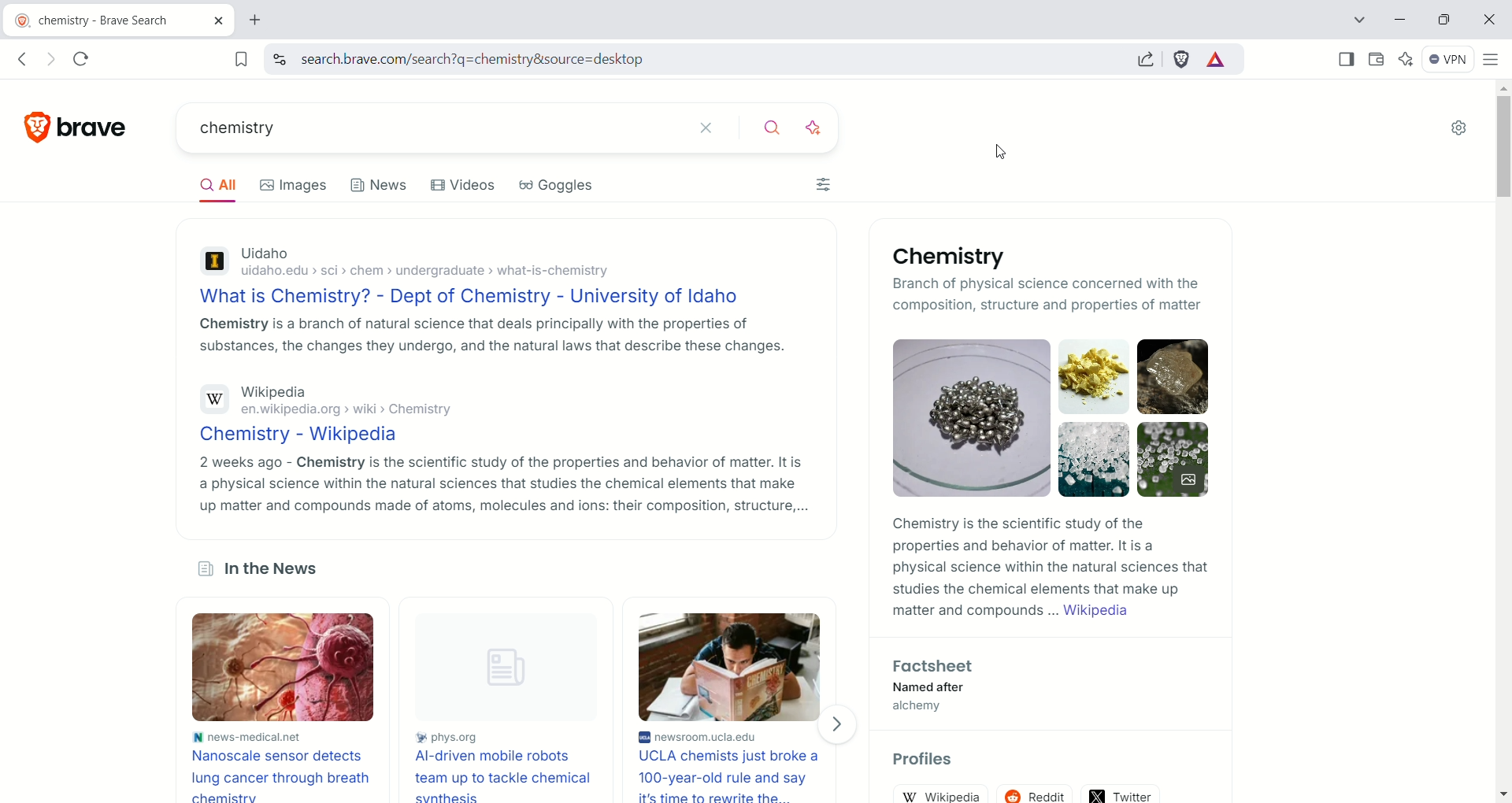 This screenshot has height=803, width=1512. What do you see at coordinates (701, 61) in the screenshot?
I see `search.brave.com/search?q=chemistry&source=desktop` at bounding box center [701, 61].